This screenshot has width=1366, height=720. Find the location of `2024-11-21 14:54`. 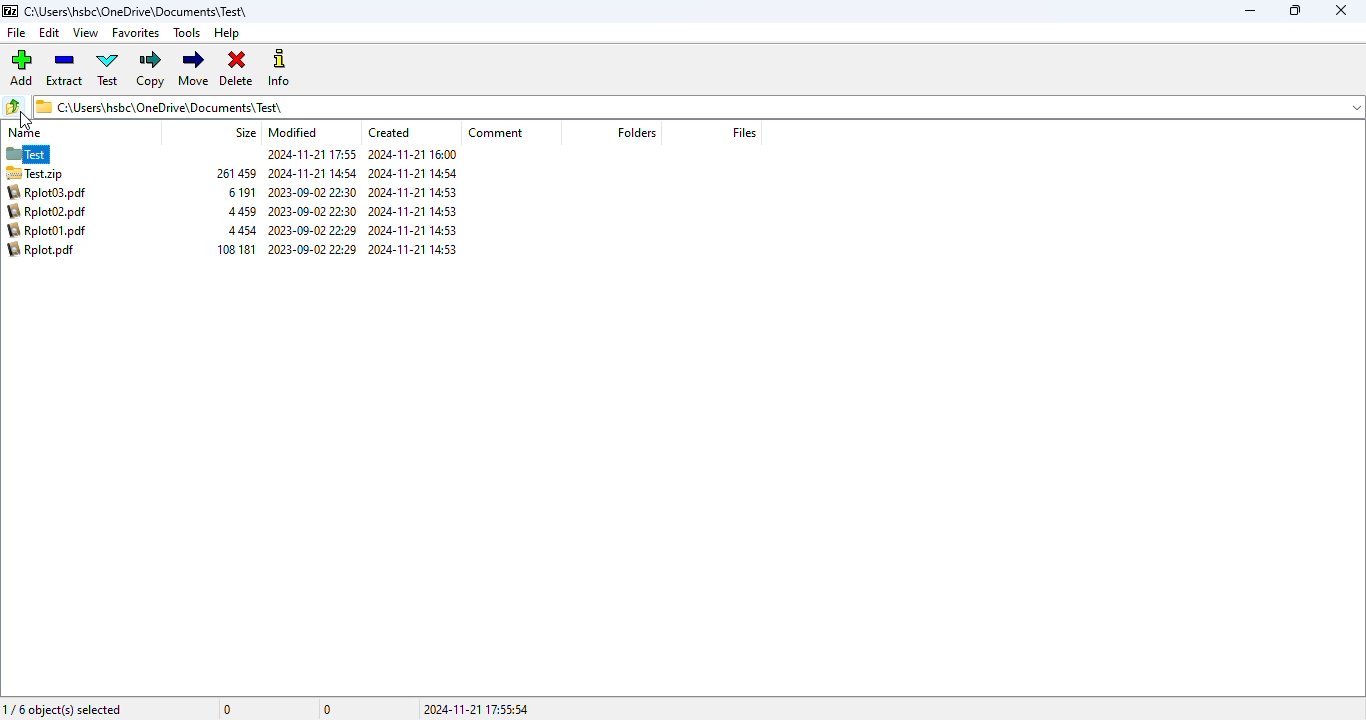

2024-11-21 14:54 is located at coordinates (412, 173).